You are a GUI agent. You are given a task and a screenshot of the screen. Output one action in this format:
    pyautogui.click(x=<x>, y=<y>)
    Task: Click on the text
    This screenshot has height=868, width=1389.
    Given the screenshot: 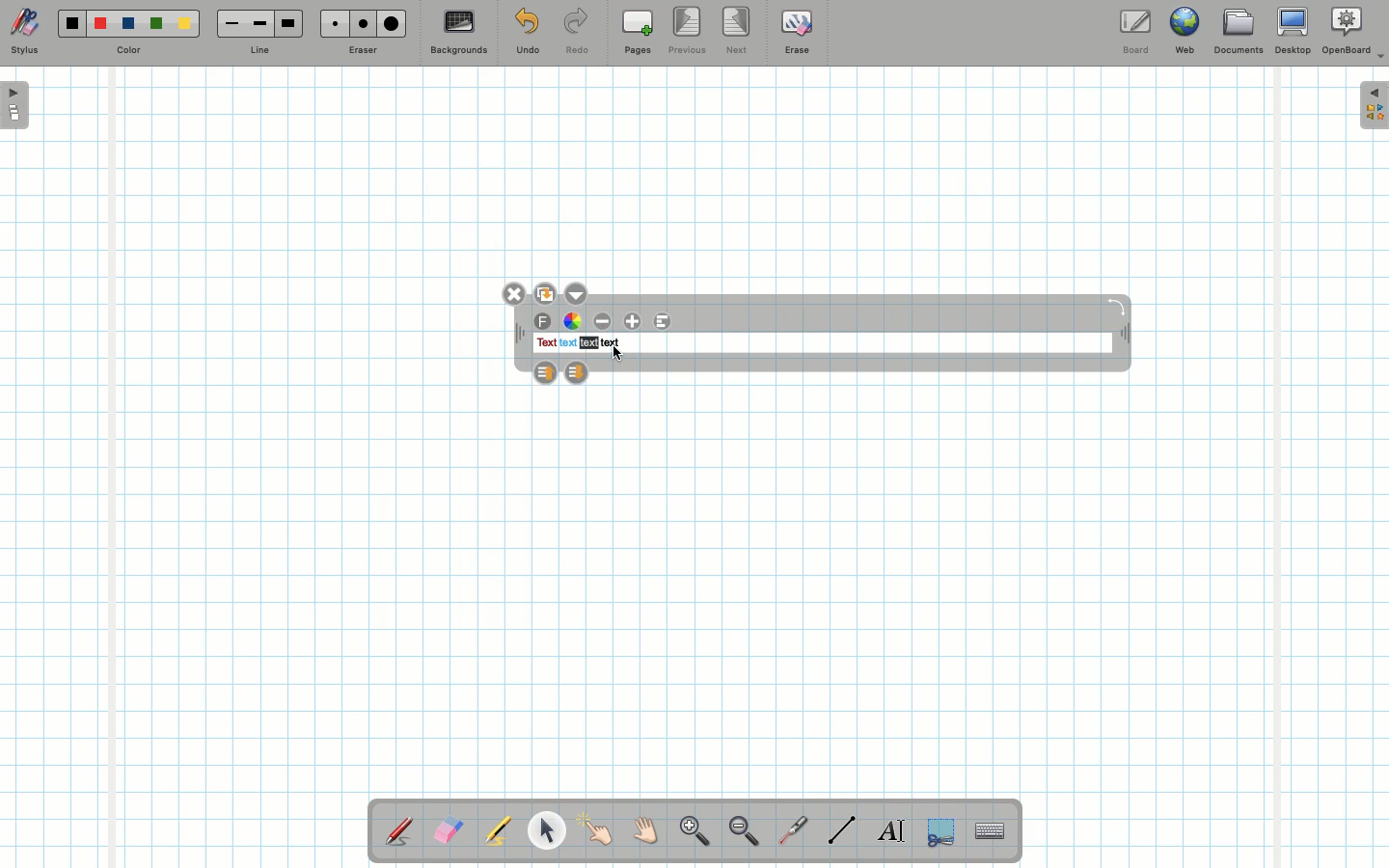 What is the action you would take?
    pyautogui.click(x=545, y=343)
    